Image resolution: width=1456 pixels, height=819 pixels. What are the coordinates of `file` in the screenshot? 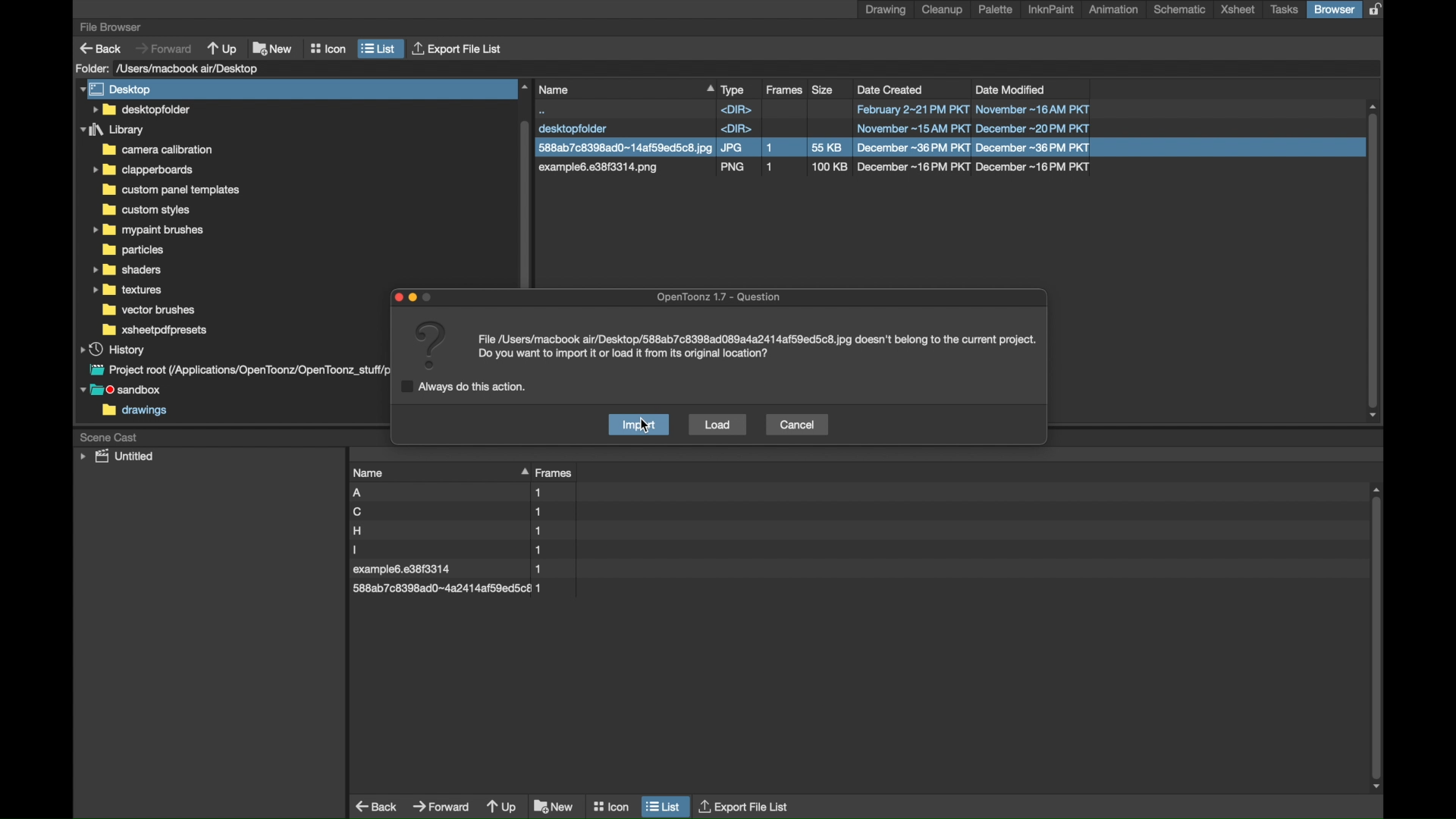 It's located at (817, 168).